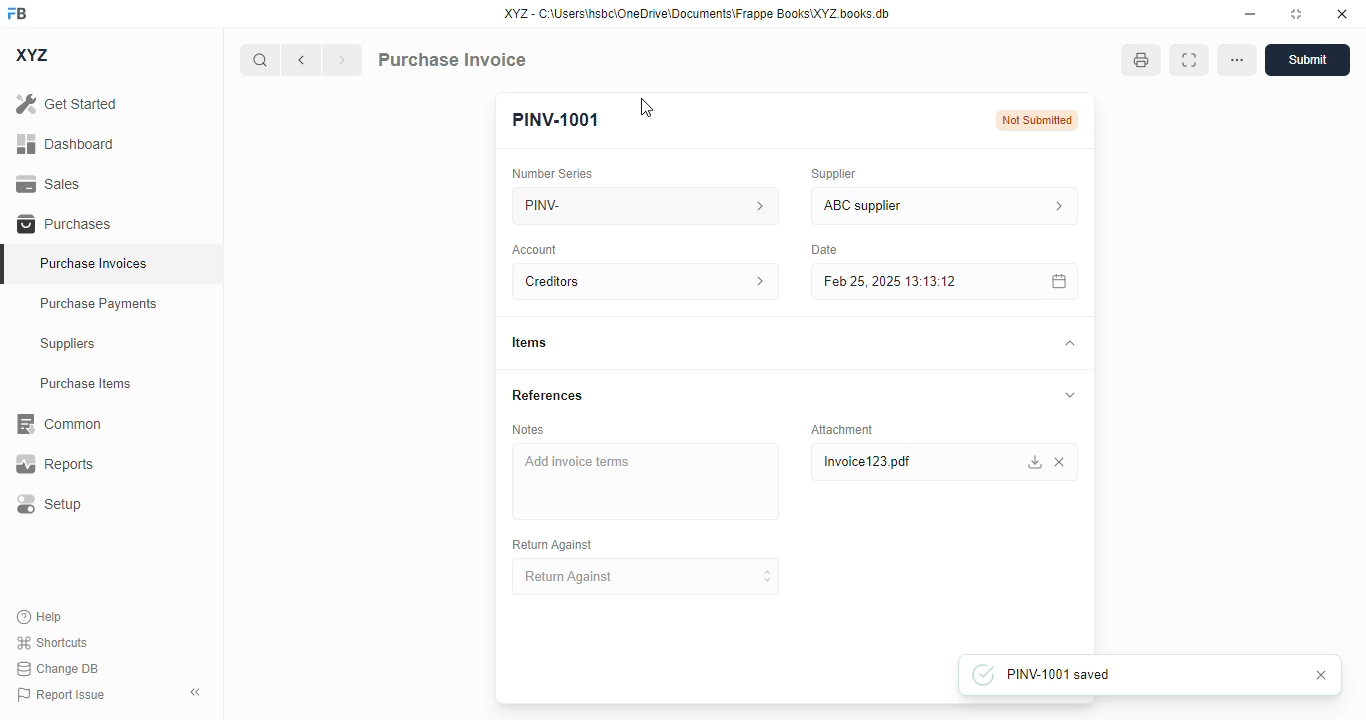  I want to click on get started, so click(68, 103).